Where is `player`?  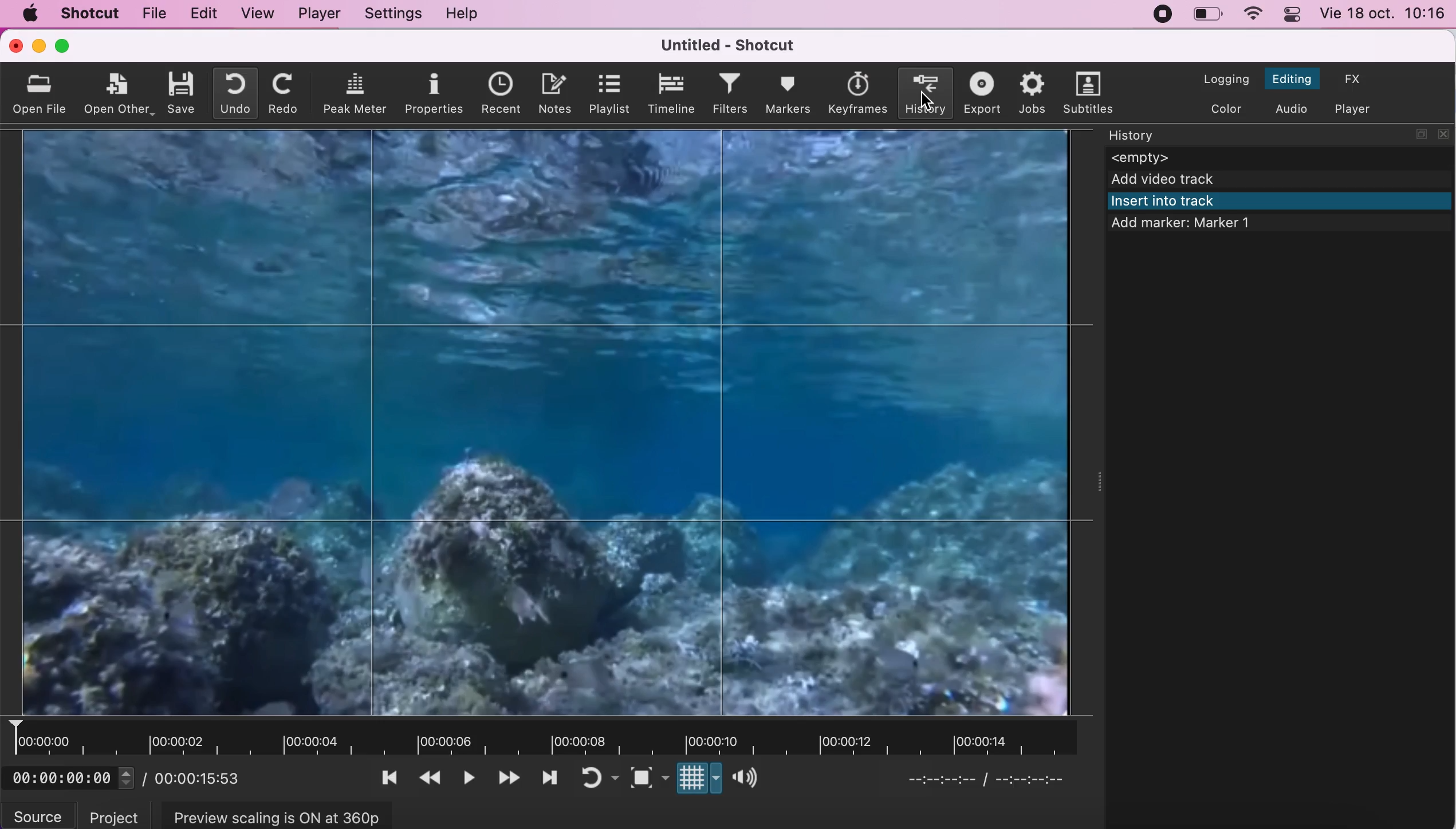
player is located at coordinates (323, 15).